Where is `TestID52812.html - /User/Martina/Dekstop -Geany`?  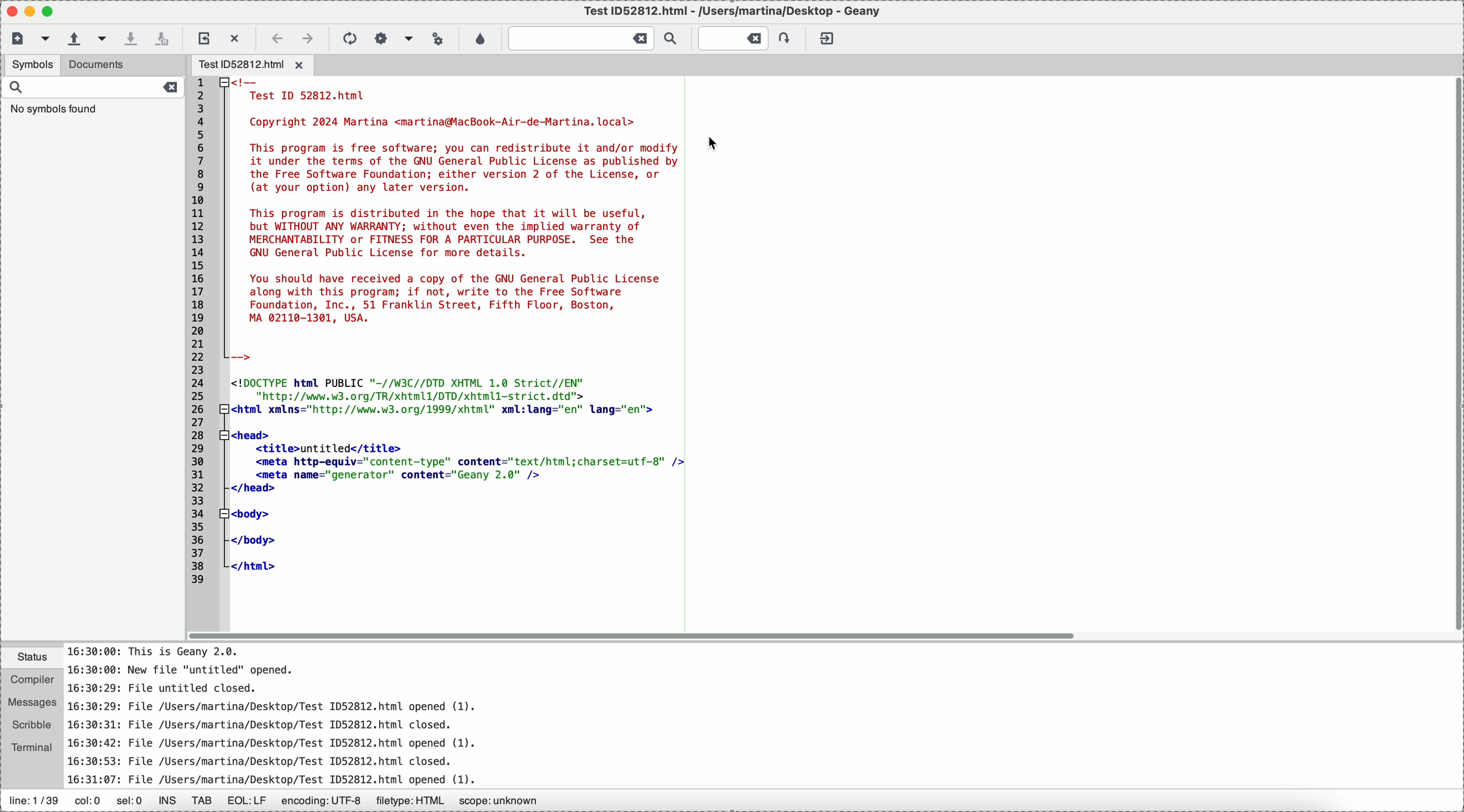 TestID52812.html - /User/Martina/Dekstop -Geany is located at coordinates (730, 13).